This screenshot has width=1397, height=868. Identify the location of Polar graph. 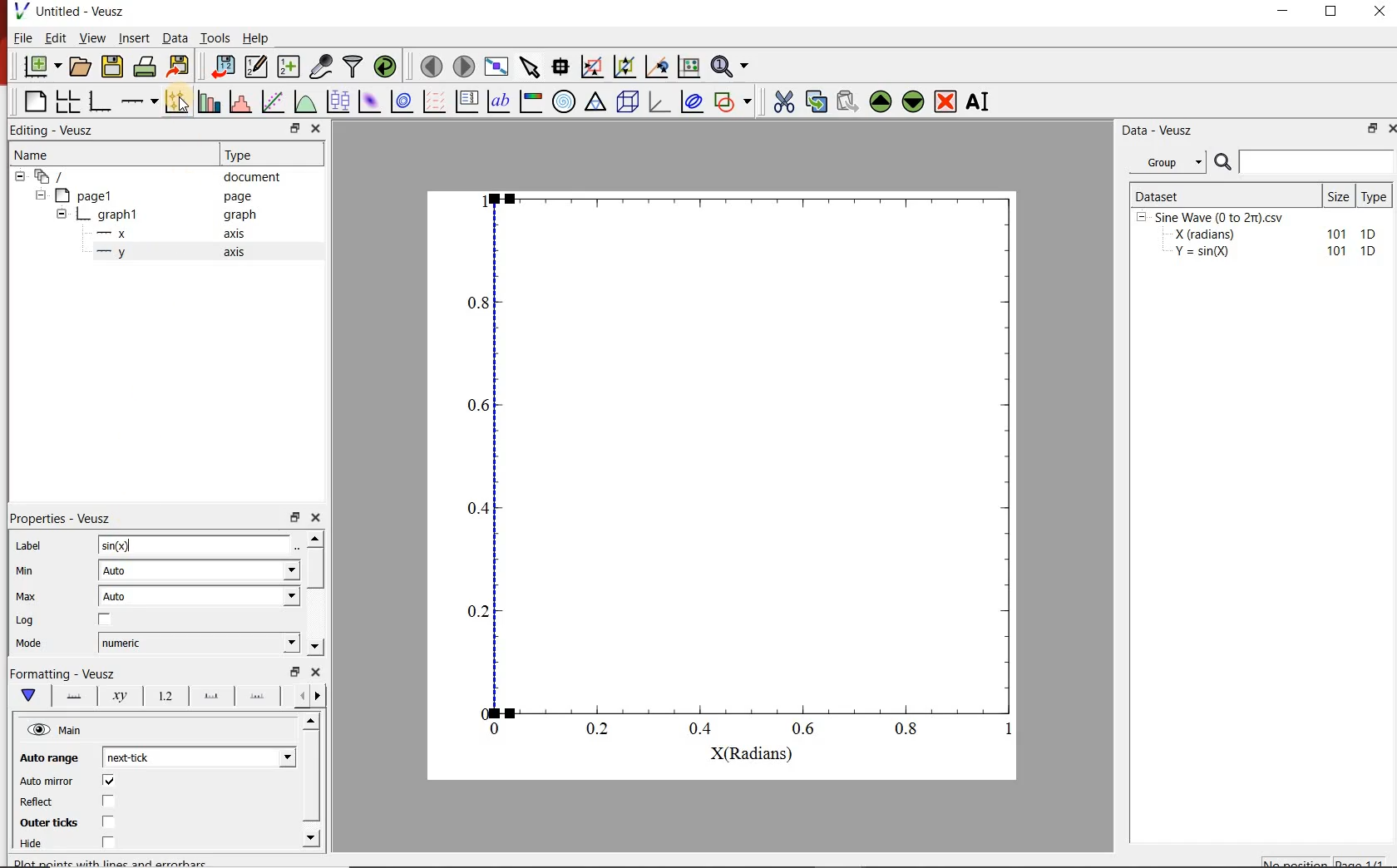
(565, 101).